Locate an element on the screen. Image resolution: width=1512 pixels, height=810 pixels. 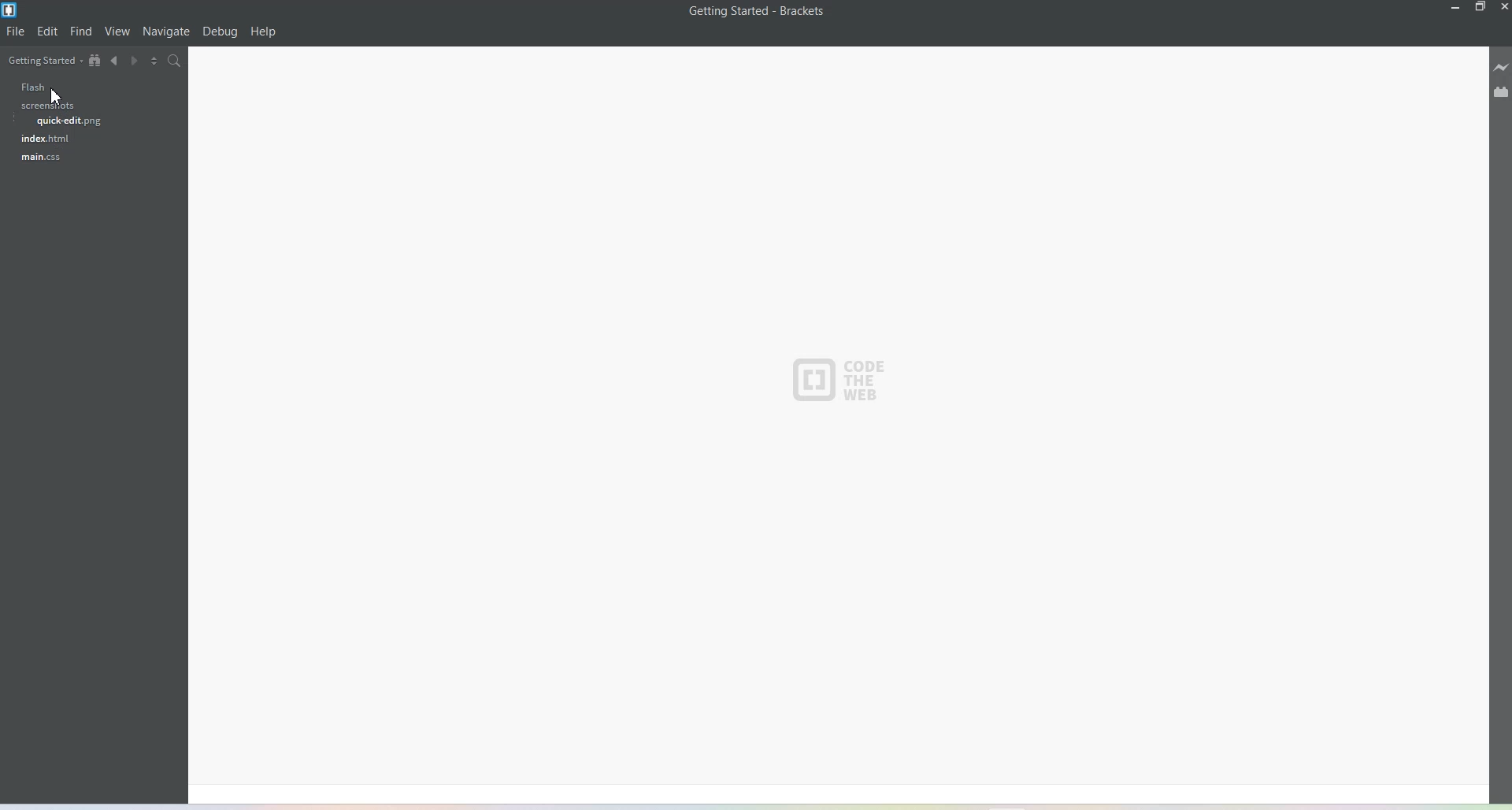
Text is located at coordinates (758, 11).